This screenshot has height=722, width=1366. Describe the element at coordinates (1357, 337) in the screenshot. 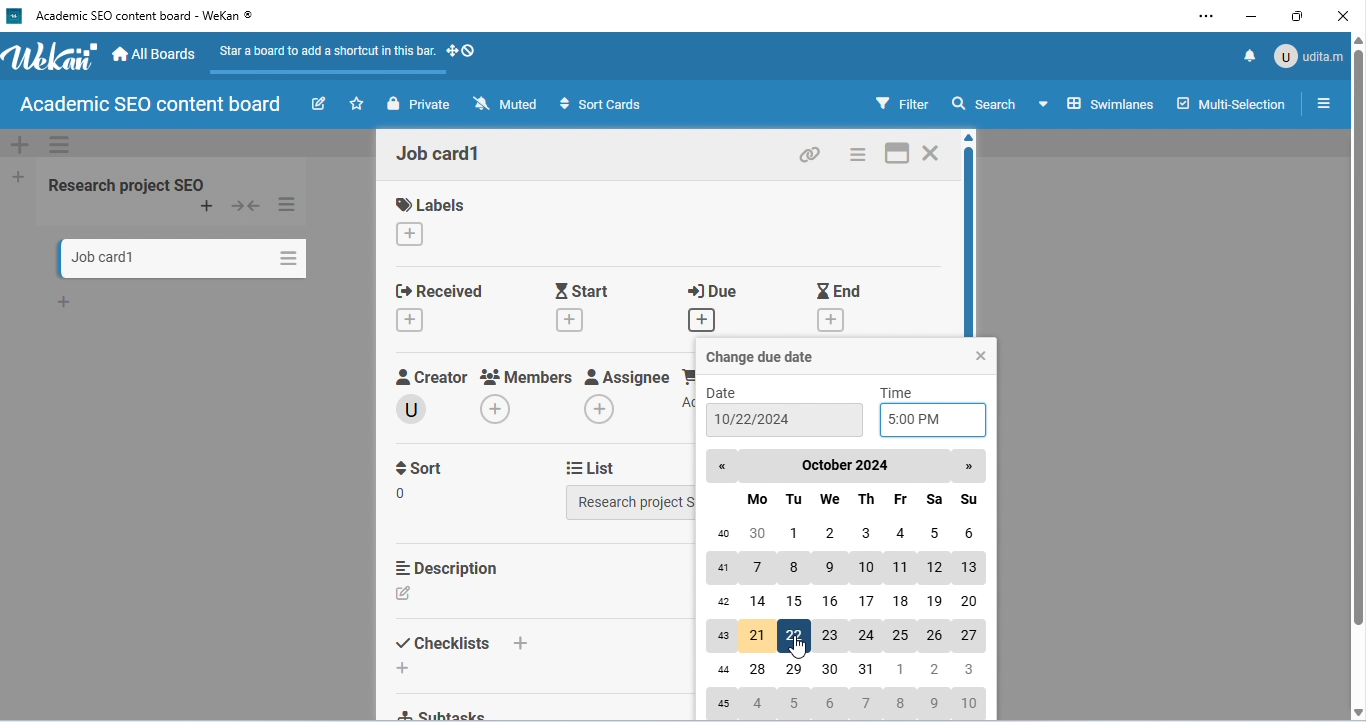

I see `vertical scroll bar` at that location.